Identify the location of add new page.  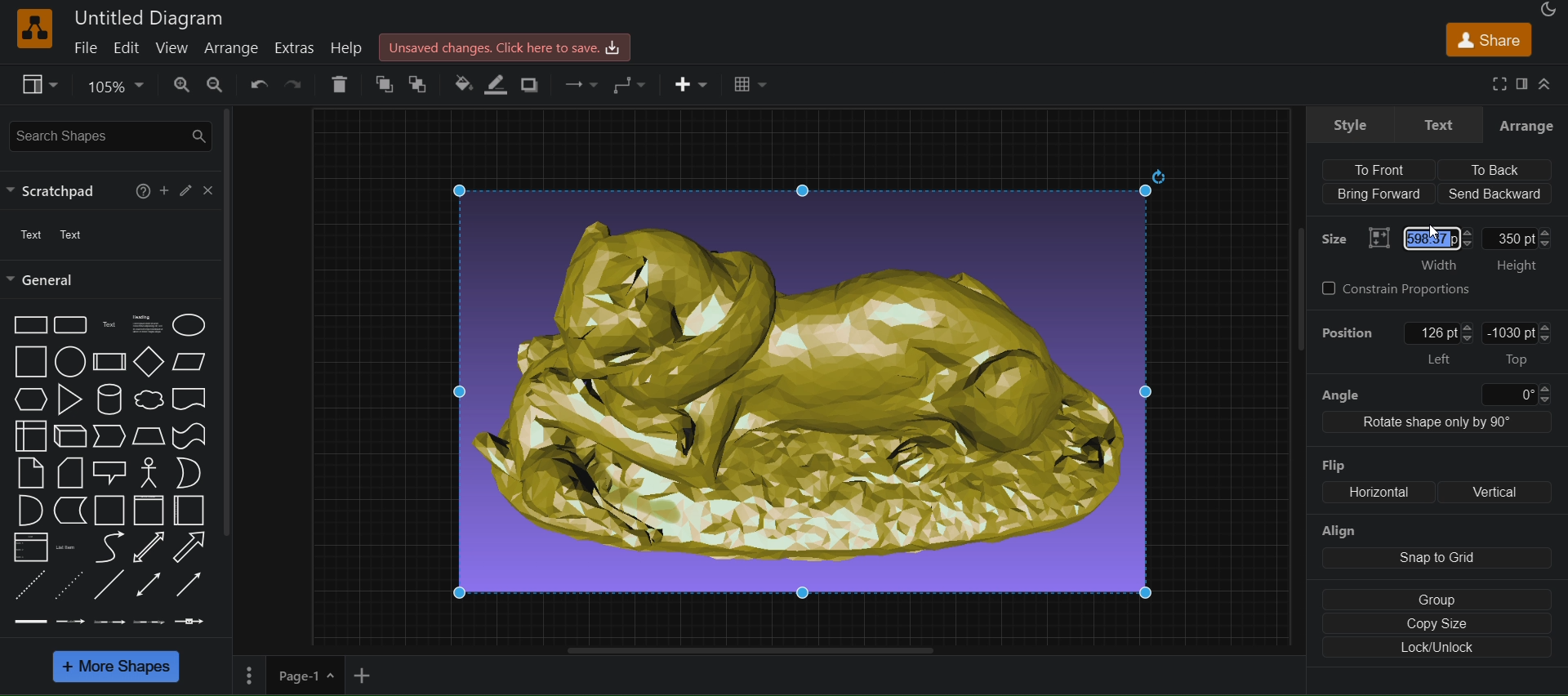
(369, 676).